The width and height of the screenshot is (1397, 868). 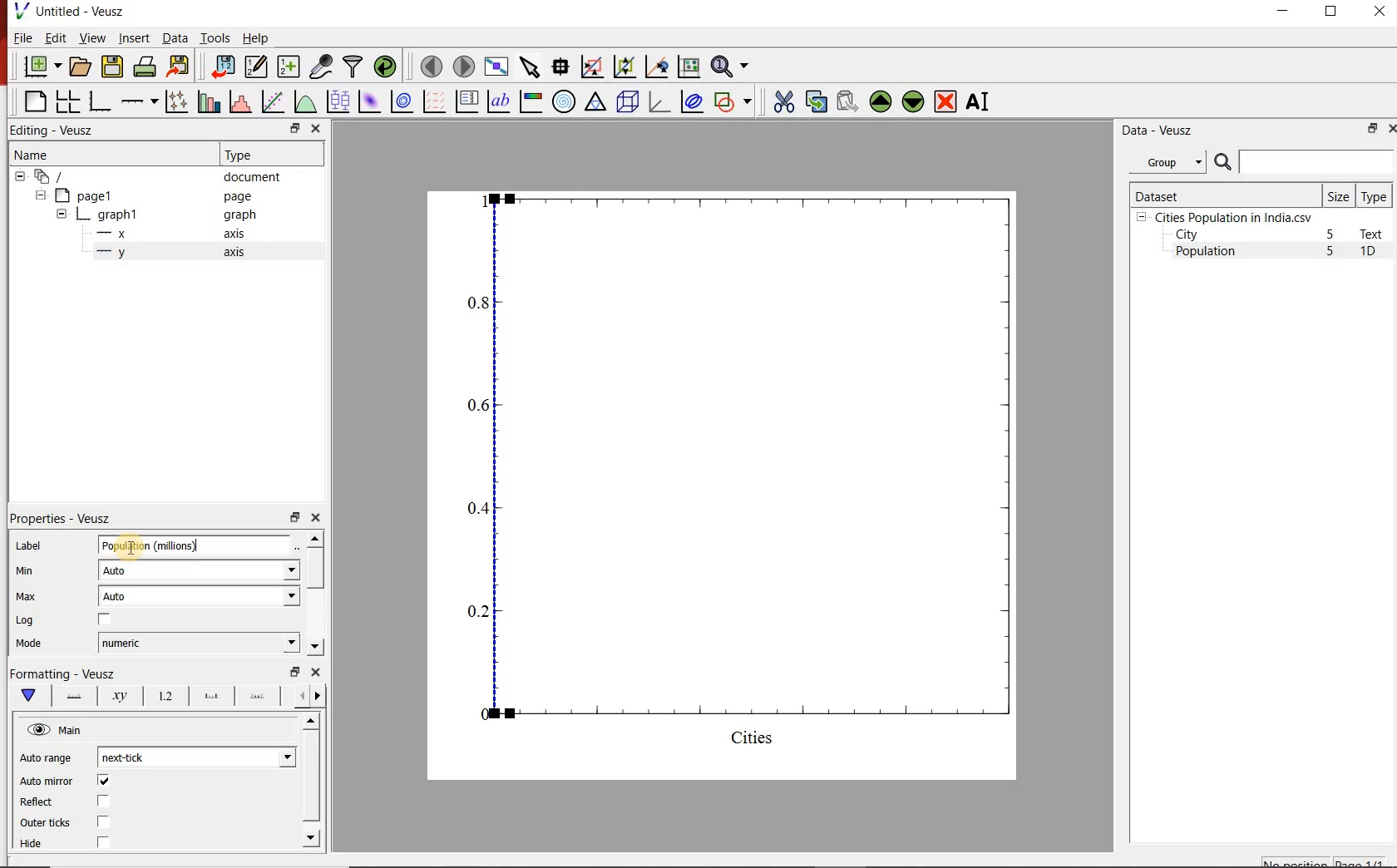 What do you see at coordinates (195, 757) in the screenshot?
I see `next-tick` at bounding box center [195, 757].